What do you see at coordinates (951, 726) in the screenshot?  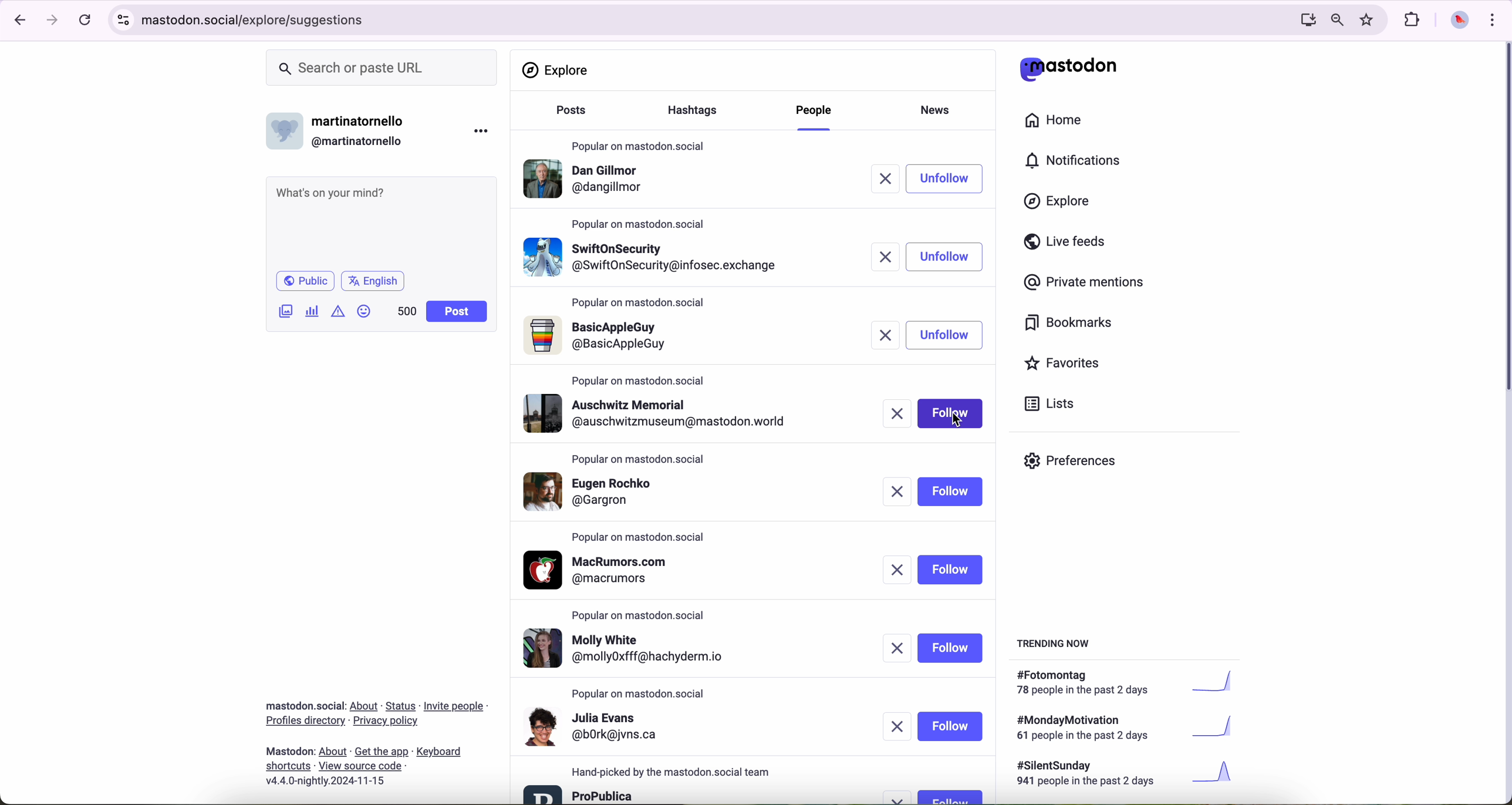 I see `follow button` at bounding box center [951, 726].